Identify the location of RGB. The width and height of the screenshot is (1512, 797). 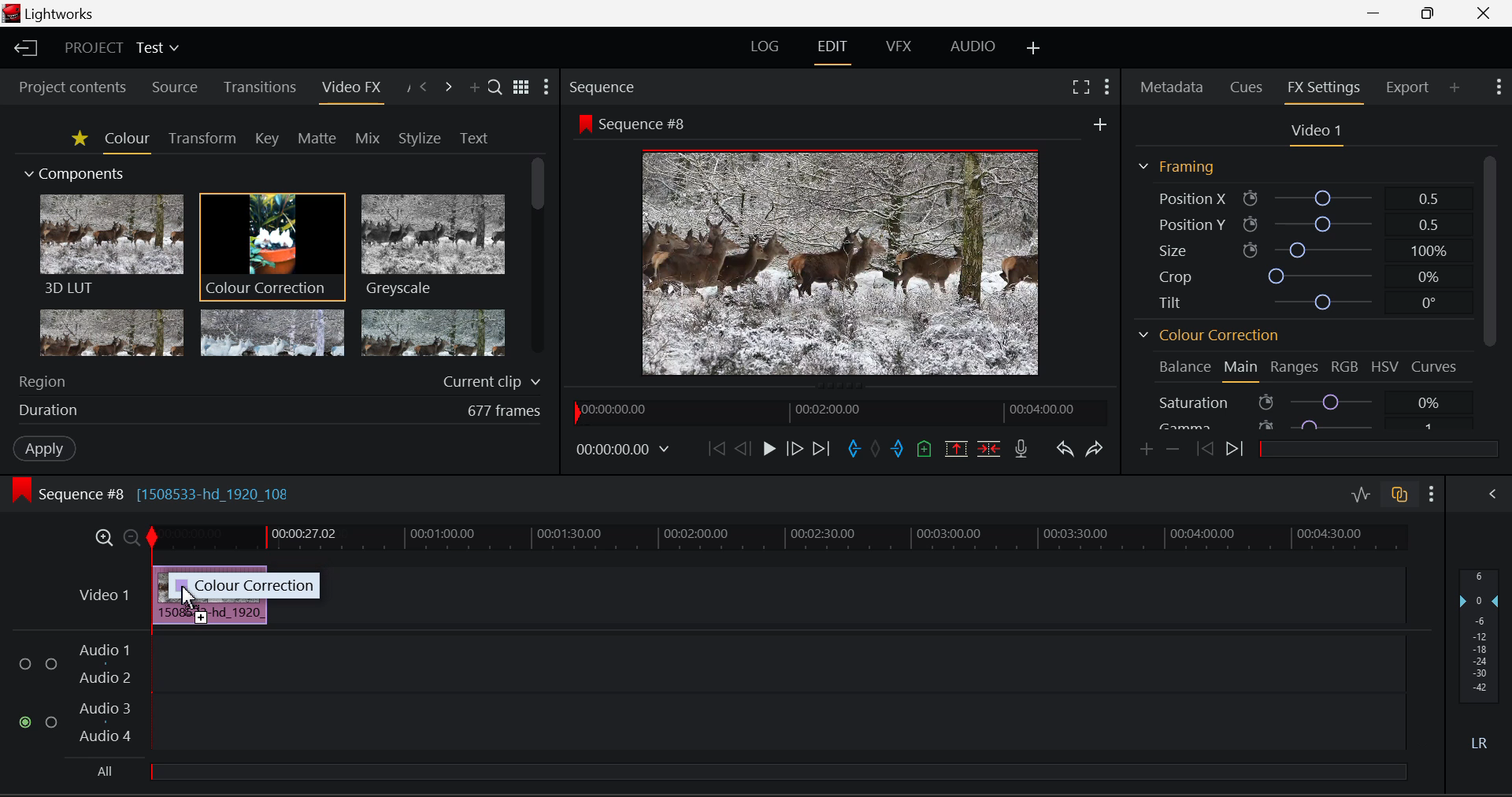
(1345, 366).